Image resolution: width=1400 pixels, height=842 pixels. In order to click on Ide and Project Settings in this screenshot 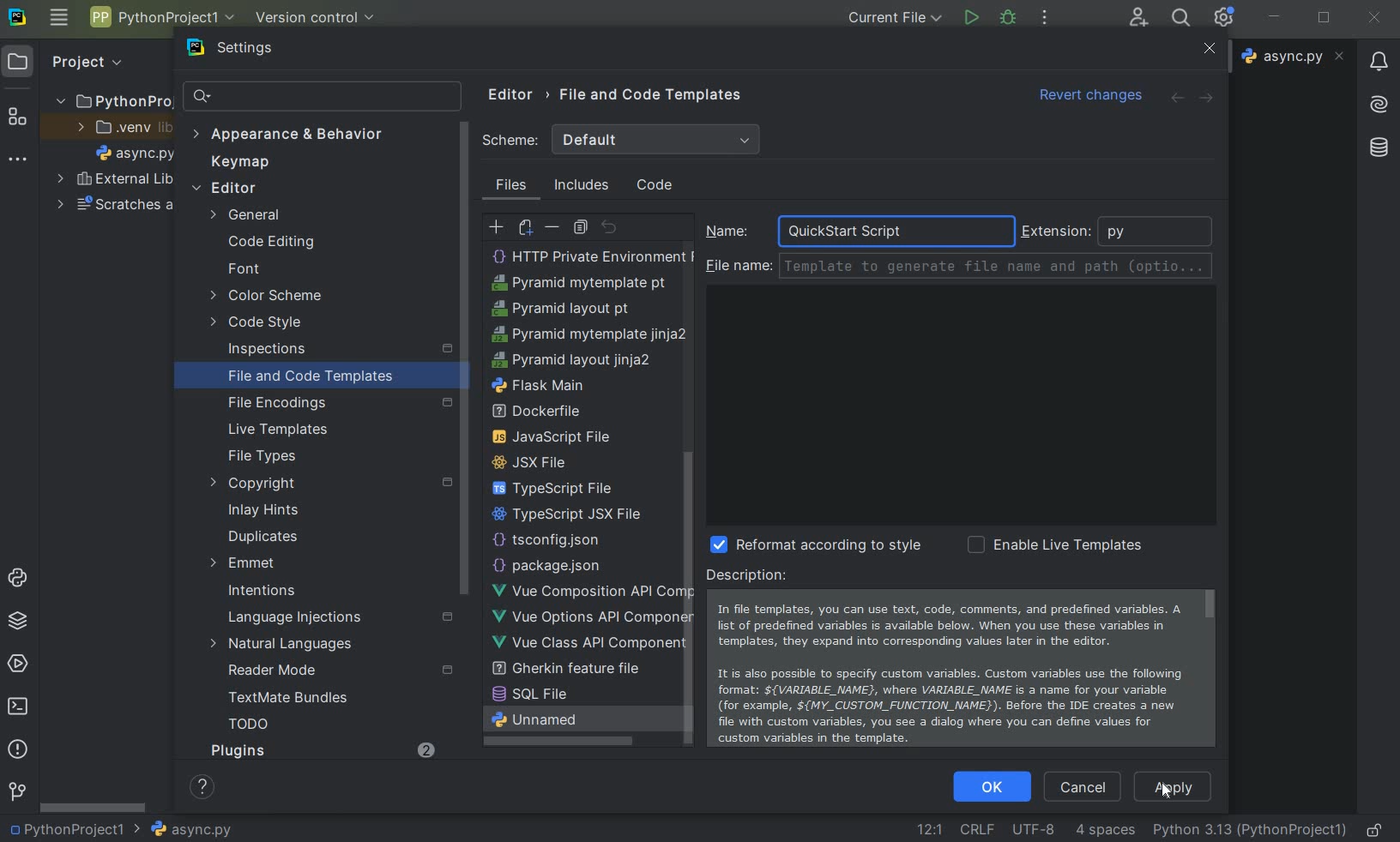, I will do `click(1227, 21)`.